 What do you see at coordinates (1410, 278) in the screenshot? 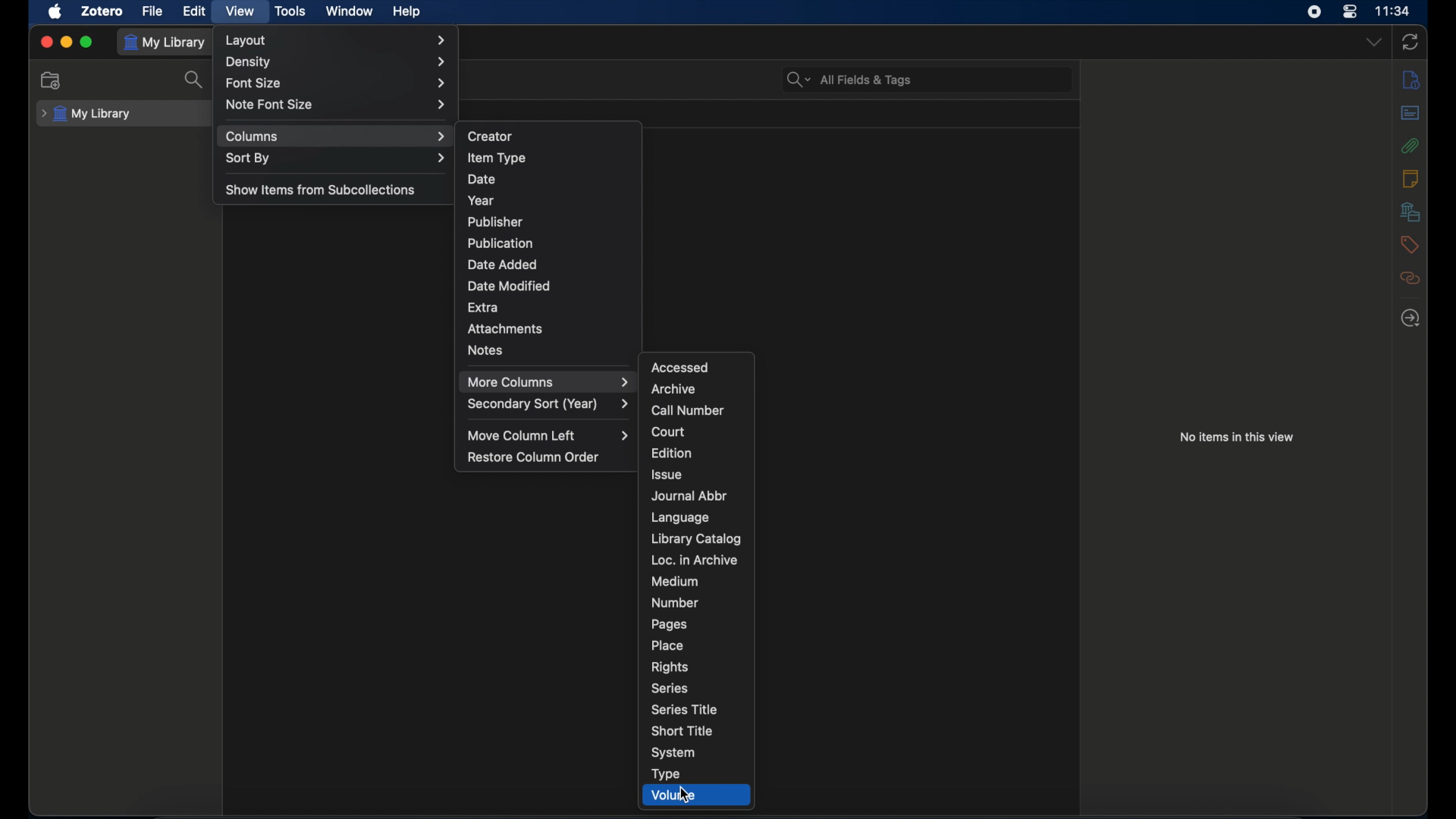
I see `related` at bounding box center [1410, 278].